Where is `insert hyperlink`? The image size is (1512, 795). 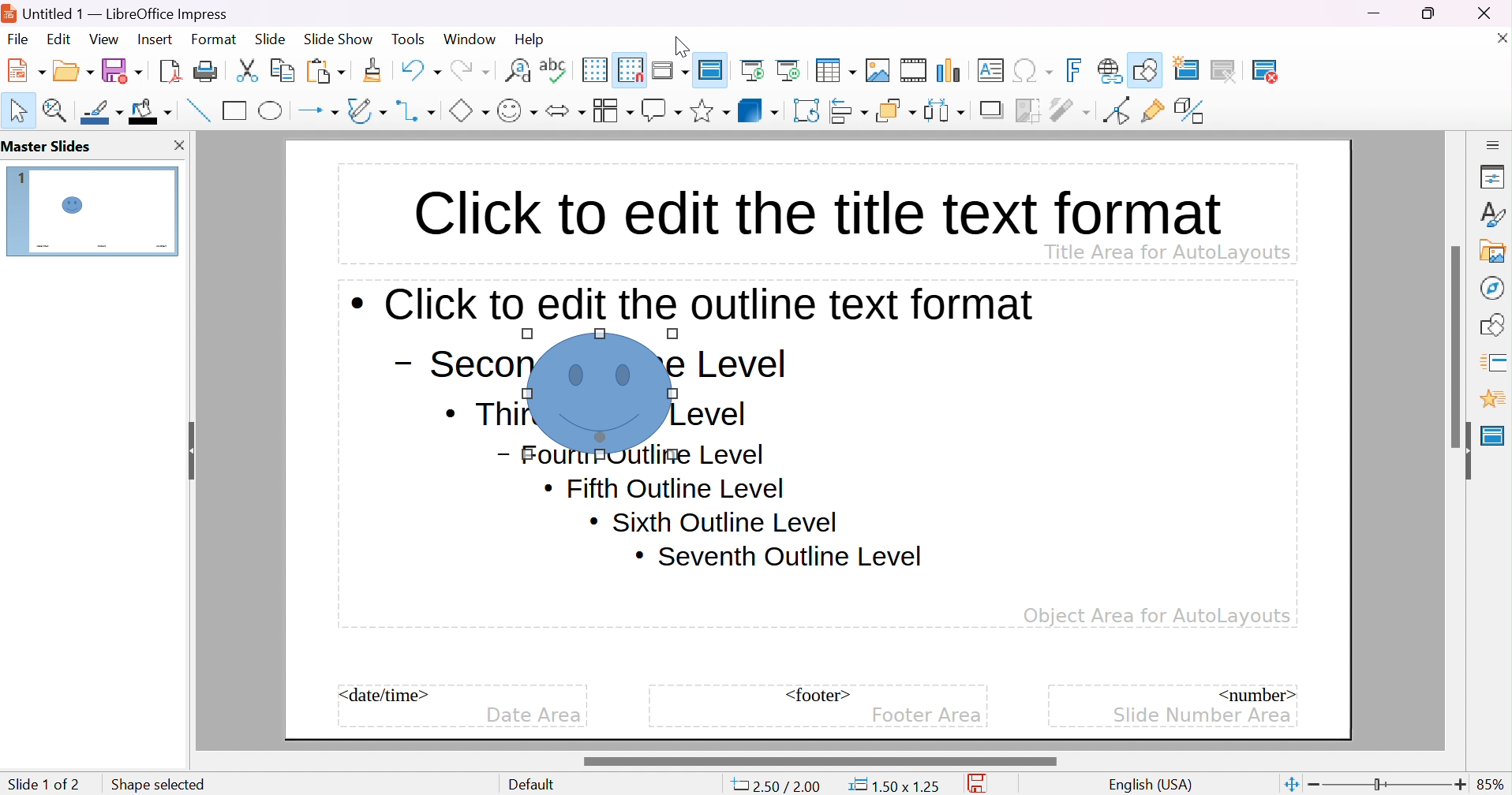
insert hyperlink is located at coordinates (1110, 70).